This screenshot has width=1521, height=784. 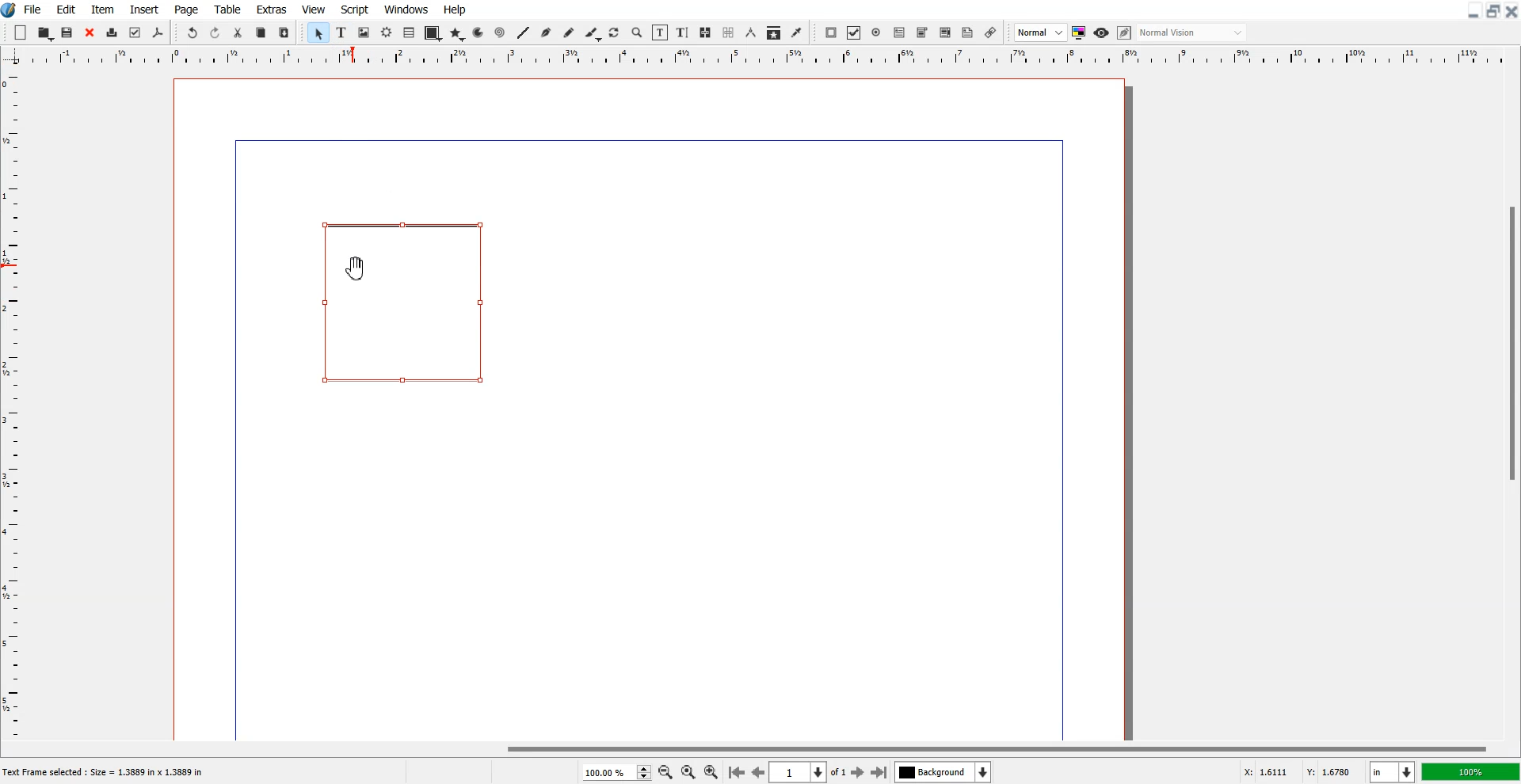 I want to click on Save as PDF, so click(x=158, y=33).